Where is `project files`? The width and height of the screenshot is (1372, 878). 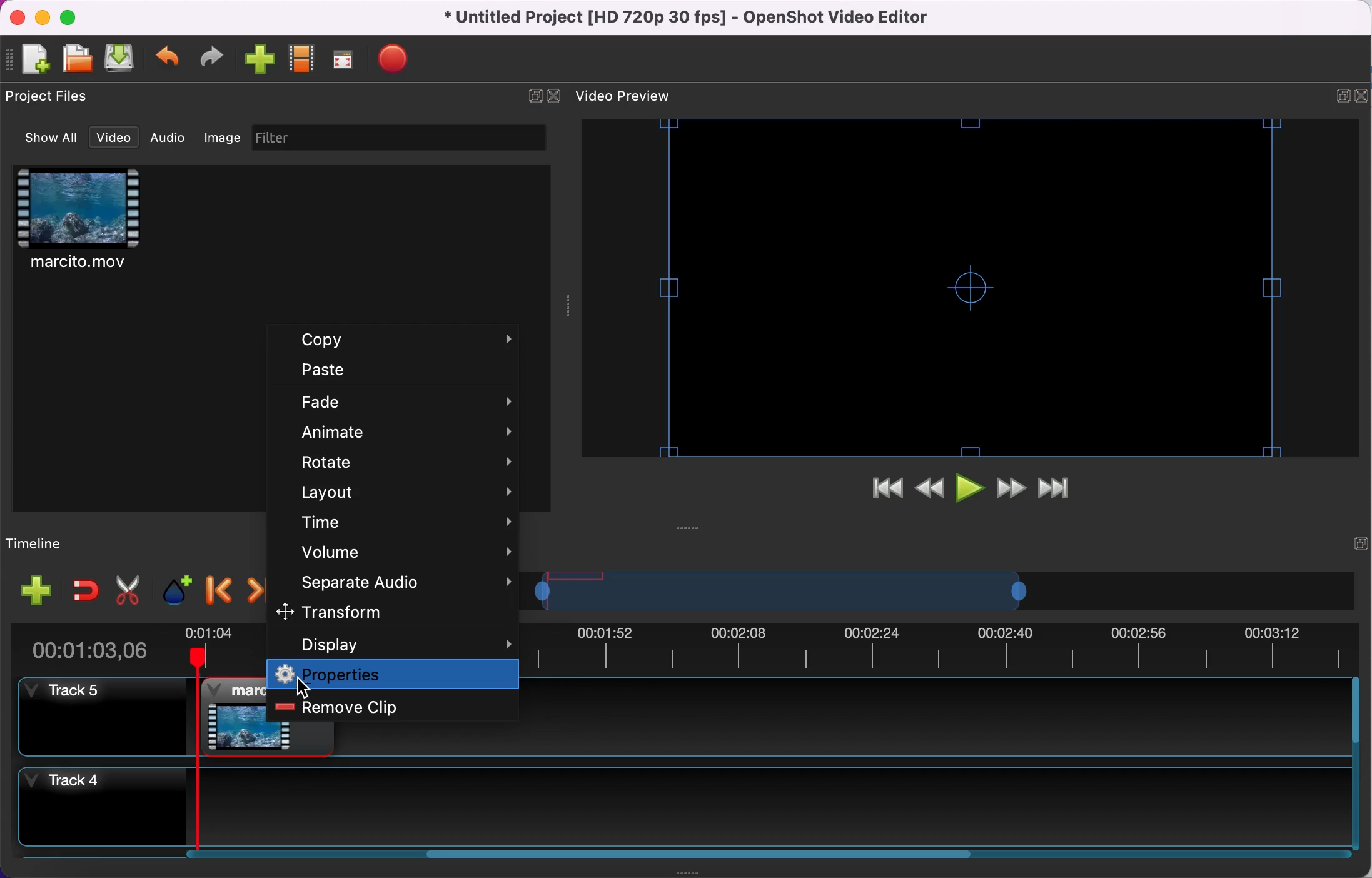 project files is located at coordinates (51, 99).